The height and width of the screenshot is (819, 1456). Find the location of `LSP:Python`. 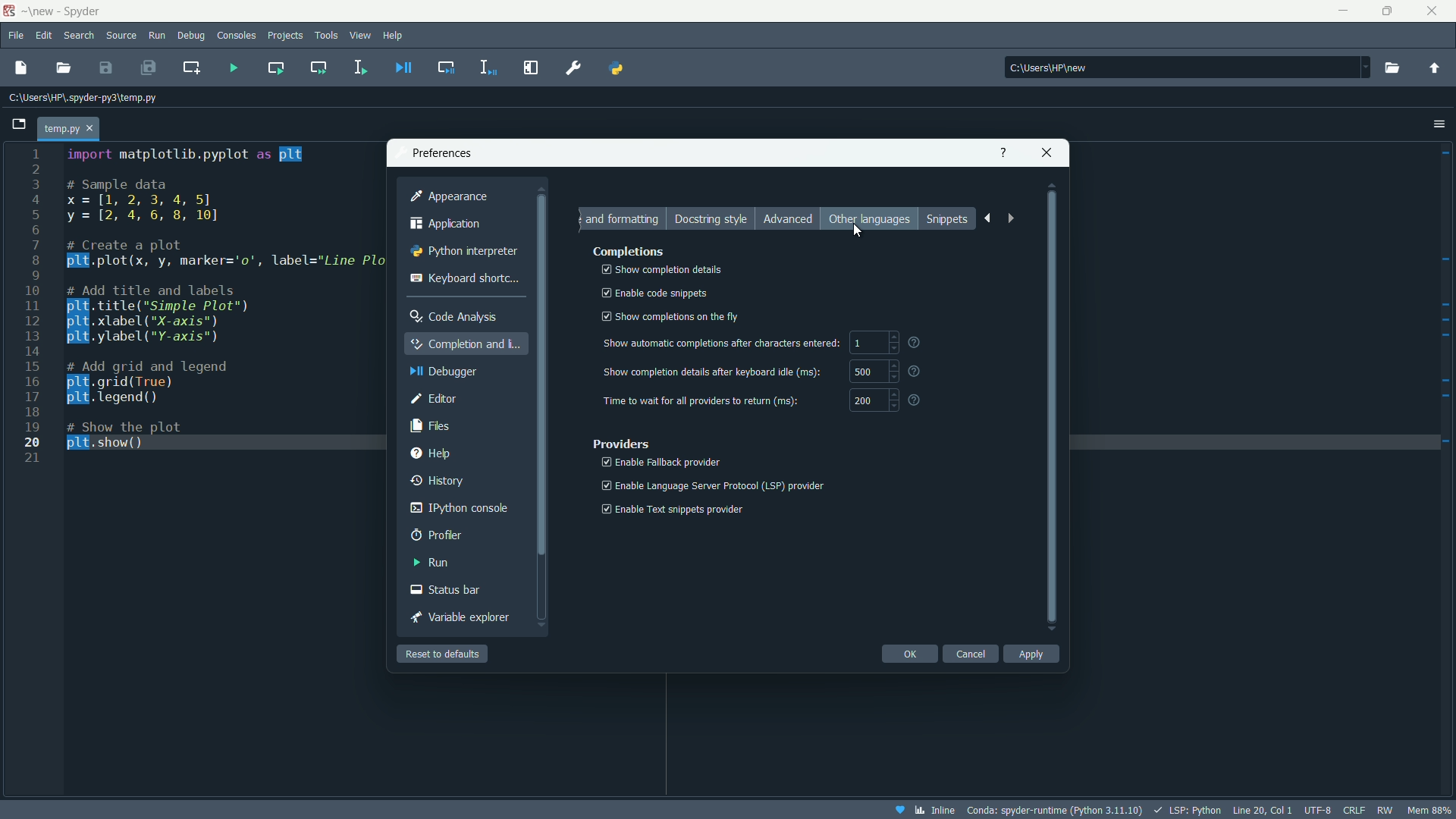

LSP:Python is located at coordinates (1187, 810).